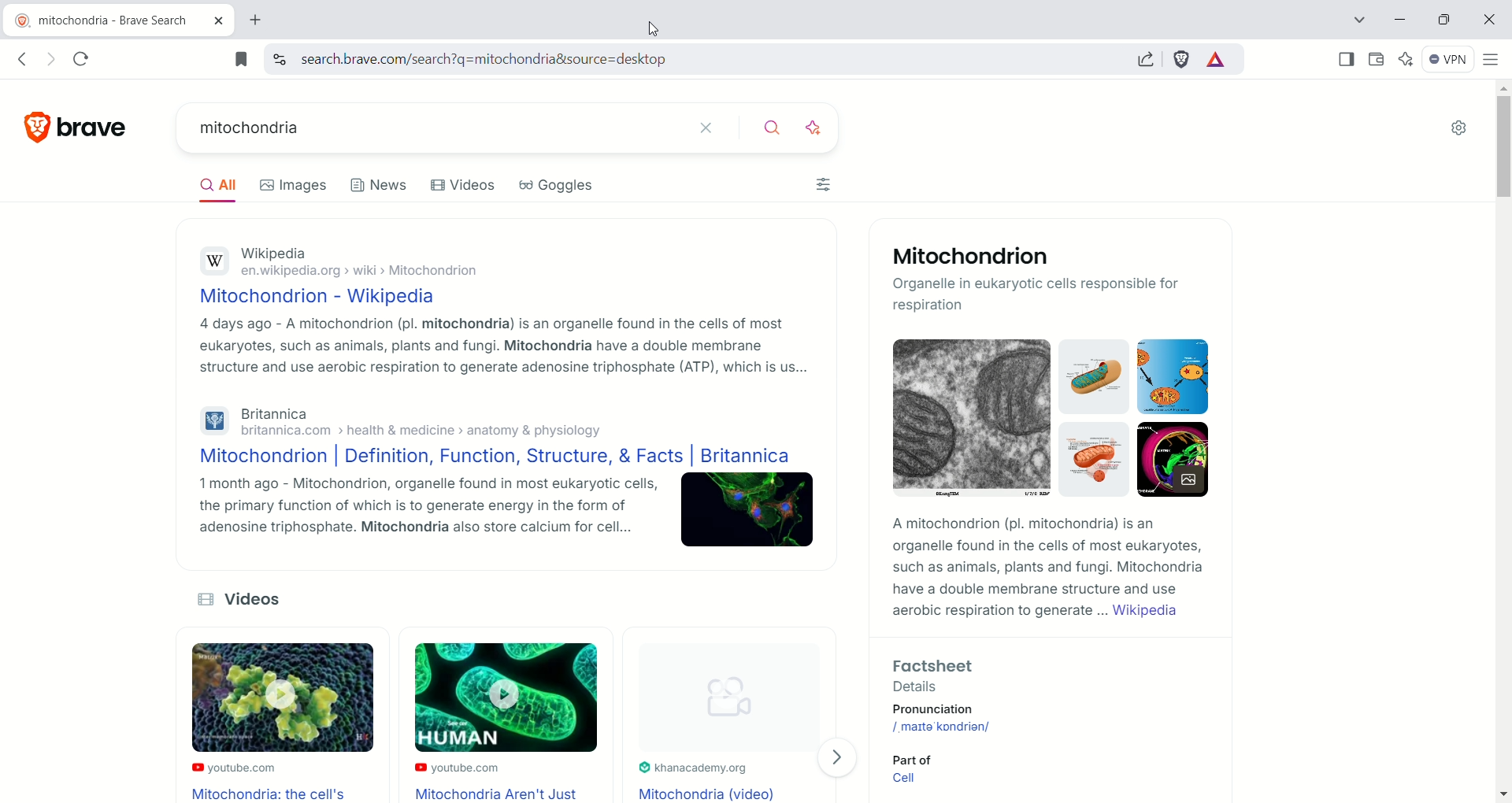 The image size is (1512, 803). What do you see at coordinates (1353, 22) in the screenshot?
I see `search tab` at bounding box center [1353, 22].